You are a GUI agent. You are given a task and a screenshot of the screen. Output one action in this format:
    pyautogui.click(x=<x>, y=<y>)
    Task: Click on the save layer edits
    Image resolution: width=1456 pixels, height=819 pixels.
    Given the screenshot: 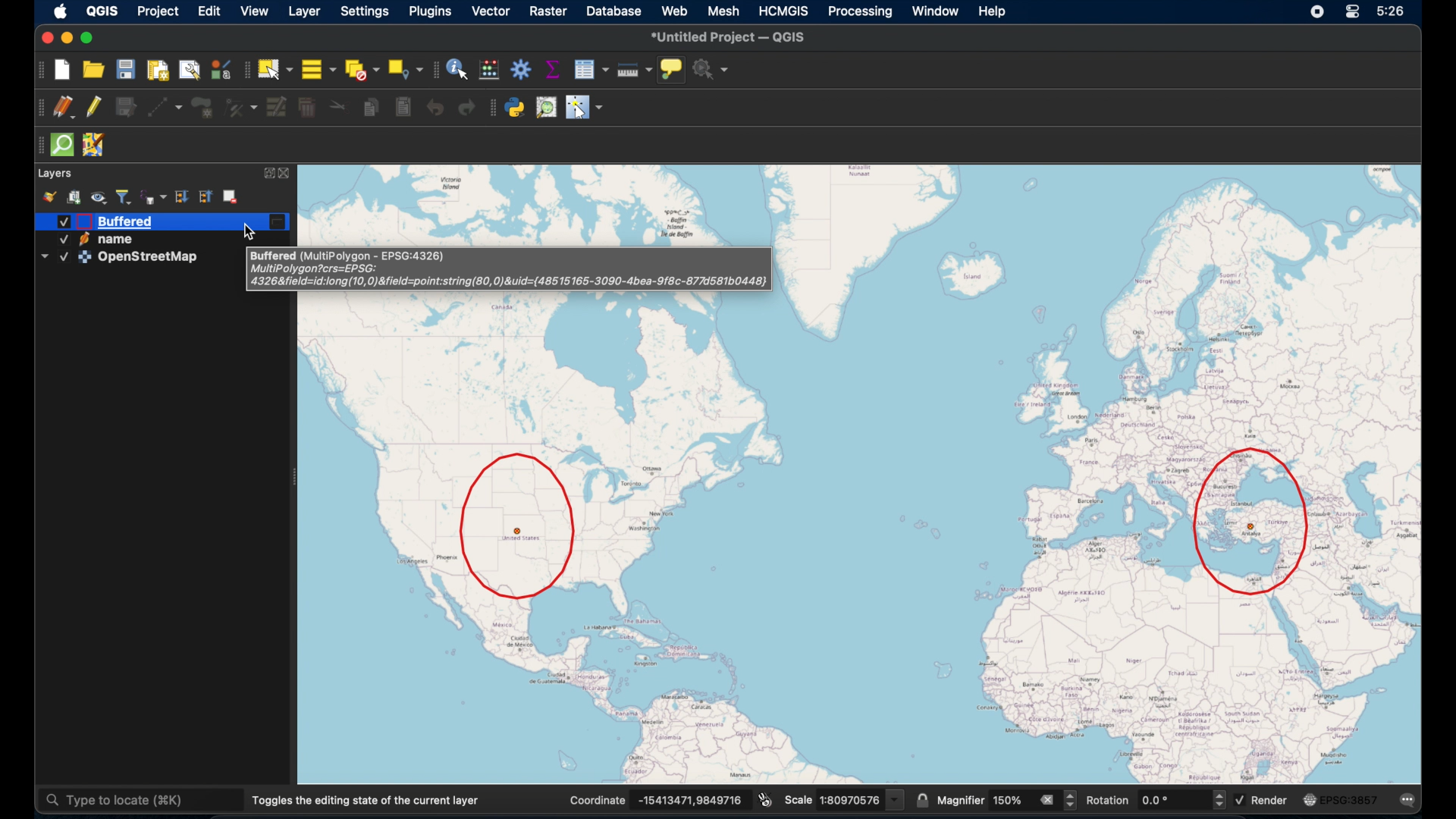 What is the action you would take?
    pyautogui.click(x=125, y=105)
    